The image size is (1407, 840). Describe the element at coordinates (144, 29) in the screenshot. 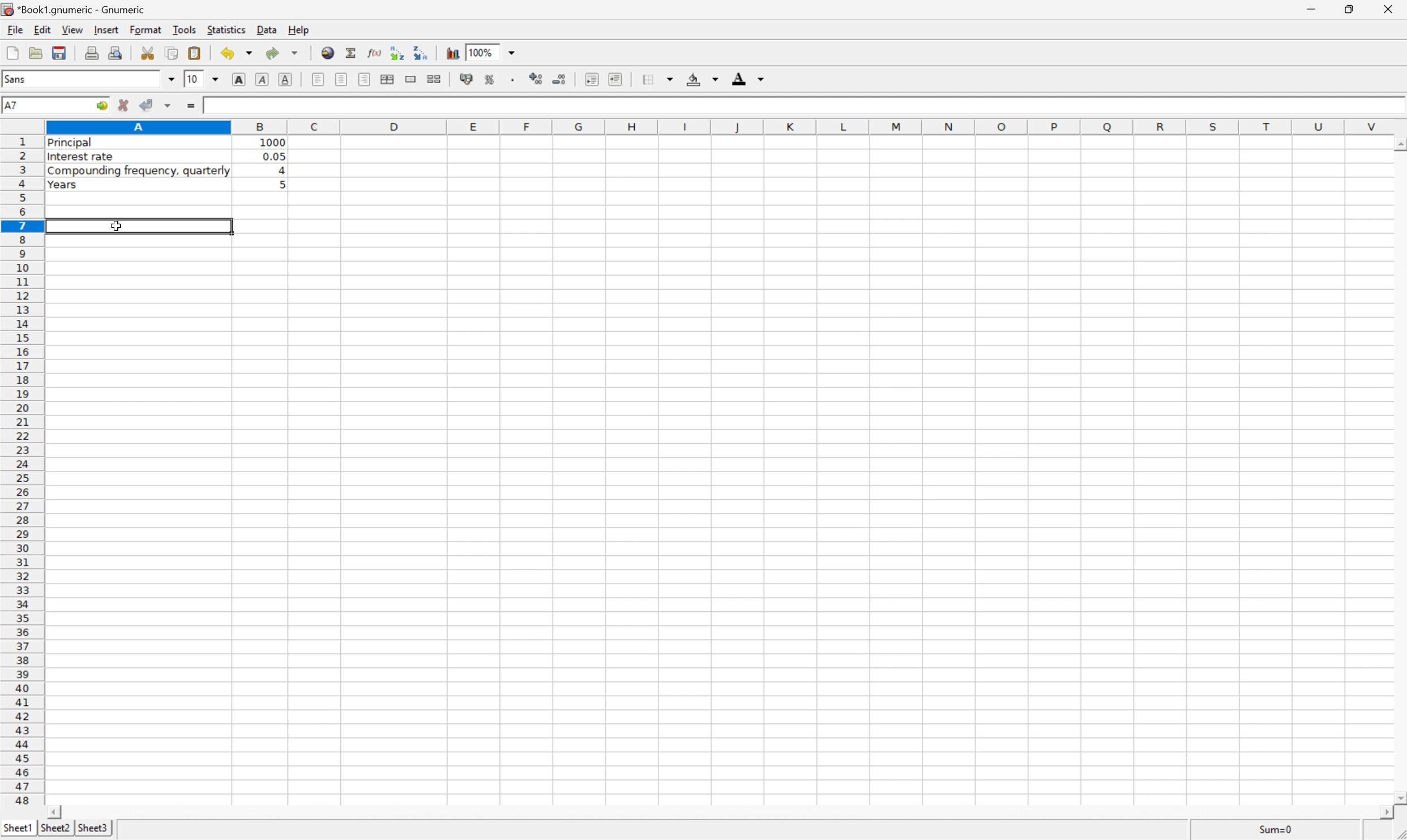

I see `format` at that location.